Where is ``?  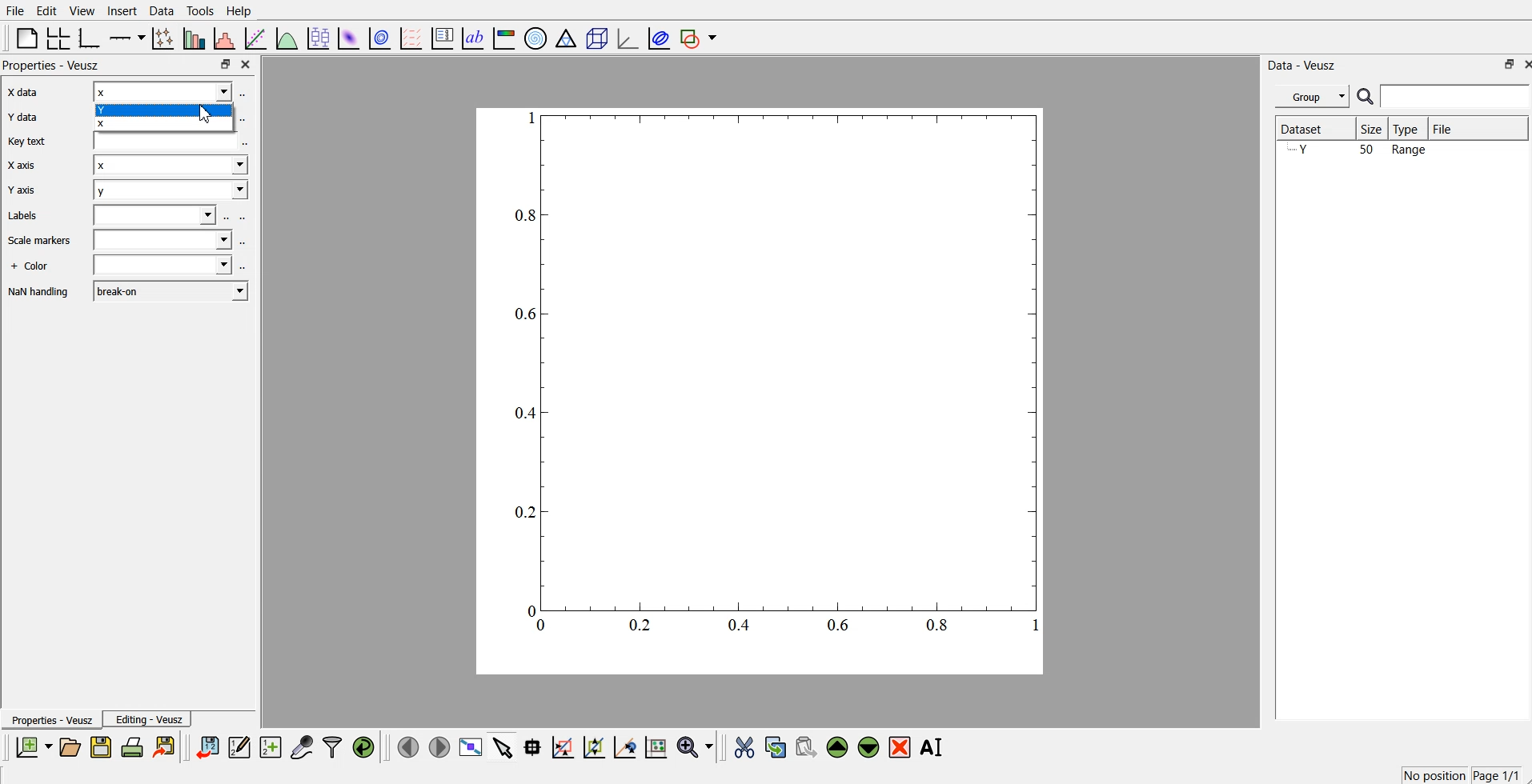  is located at coordinates (37, 267).